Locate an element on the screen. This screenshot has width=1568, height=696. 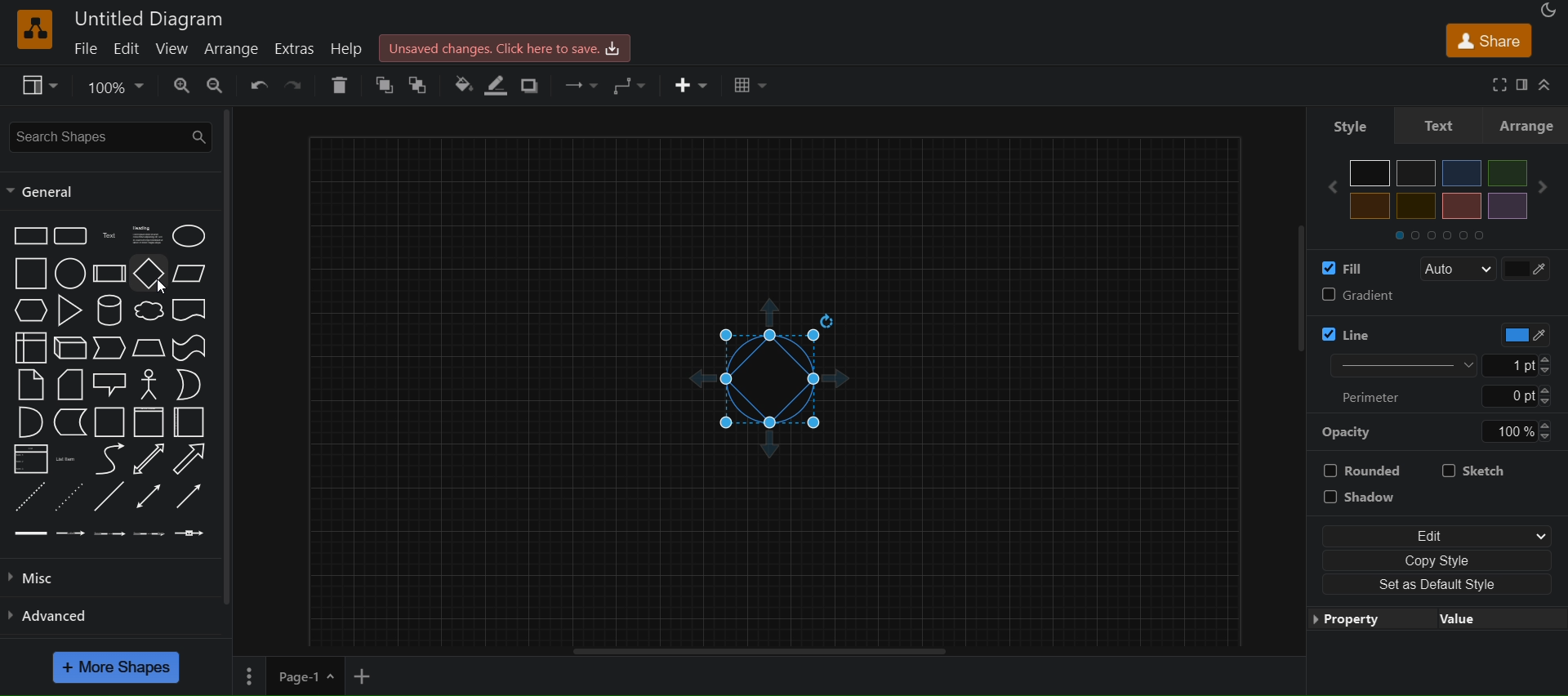
circle color changed to blue is located at coordinates (782, 377).